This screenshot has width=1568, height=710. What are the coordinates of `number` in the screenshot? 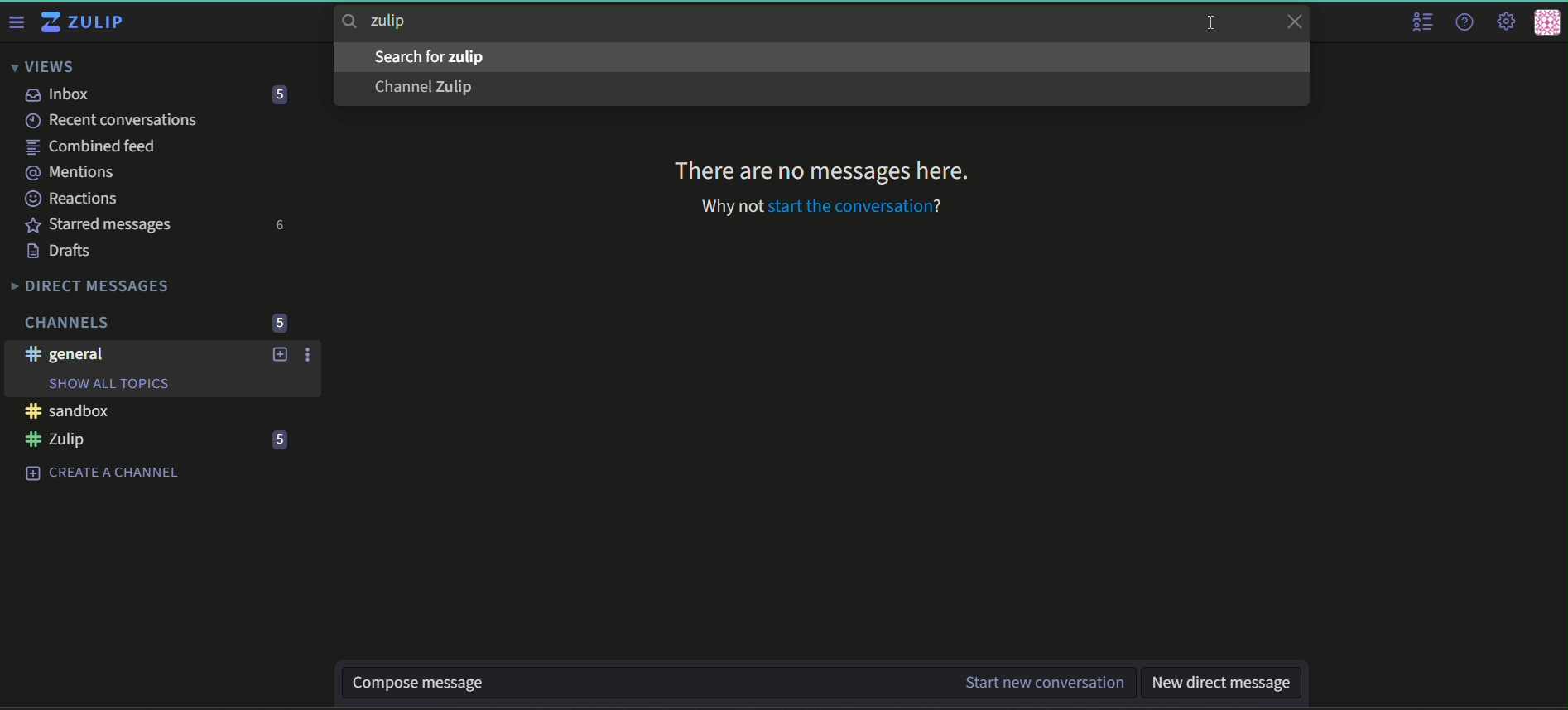 It's located at (281, 441).